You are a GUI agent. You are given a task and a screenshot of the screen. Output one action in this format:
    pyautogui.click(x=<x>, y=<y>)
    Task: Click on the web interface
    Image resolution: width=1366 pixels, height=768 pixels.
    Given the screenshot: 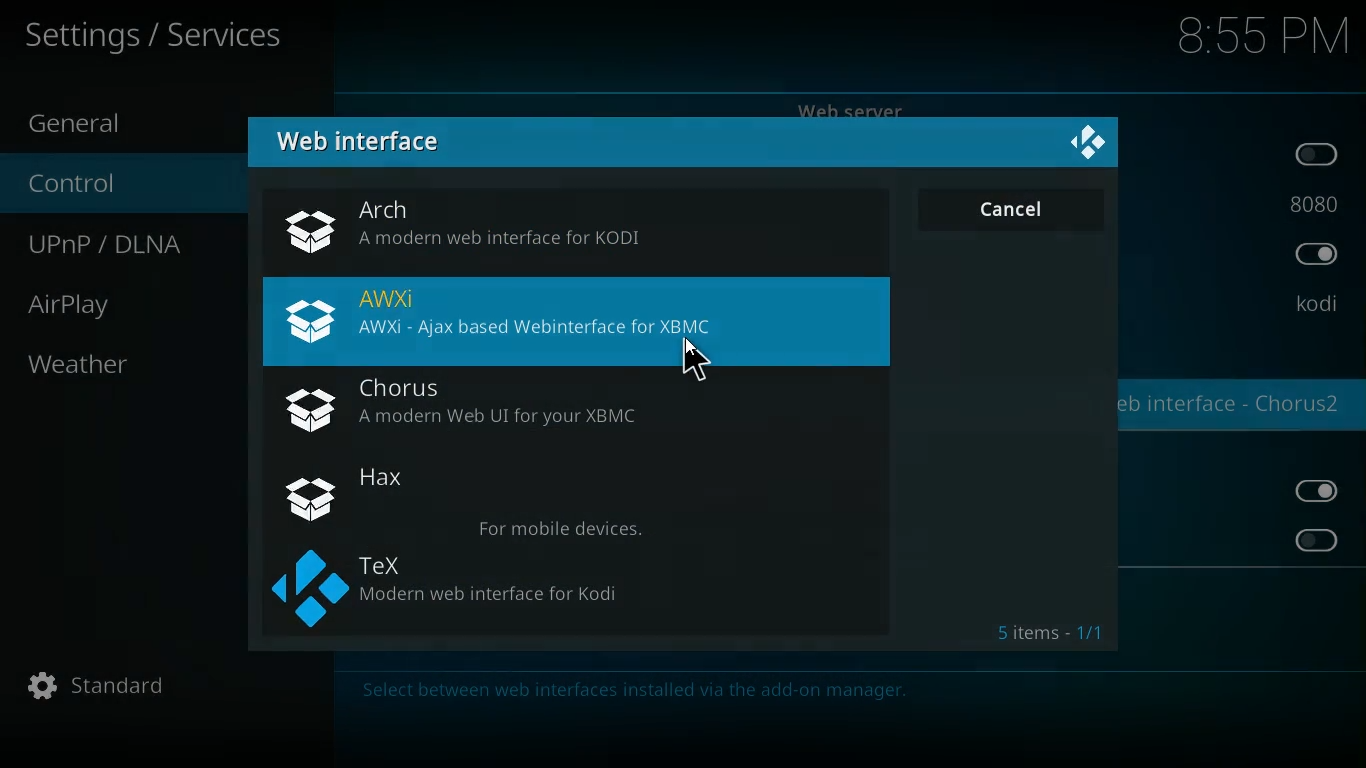 What is the action you would take?
    pyautogui.click(x=1235, y=407)
    